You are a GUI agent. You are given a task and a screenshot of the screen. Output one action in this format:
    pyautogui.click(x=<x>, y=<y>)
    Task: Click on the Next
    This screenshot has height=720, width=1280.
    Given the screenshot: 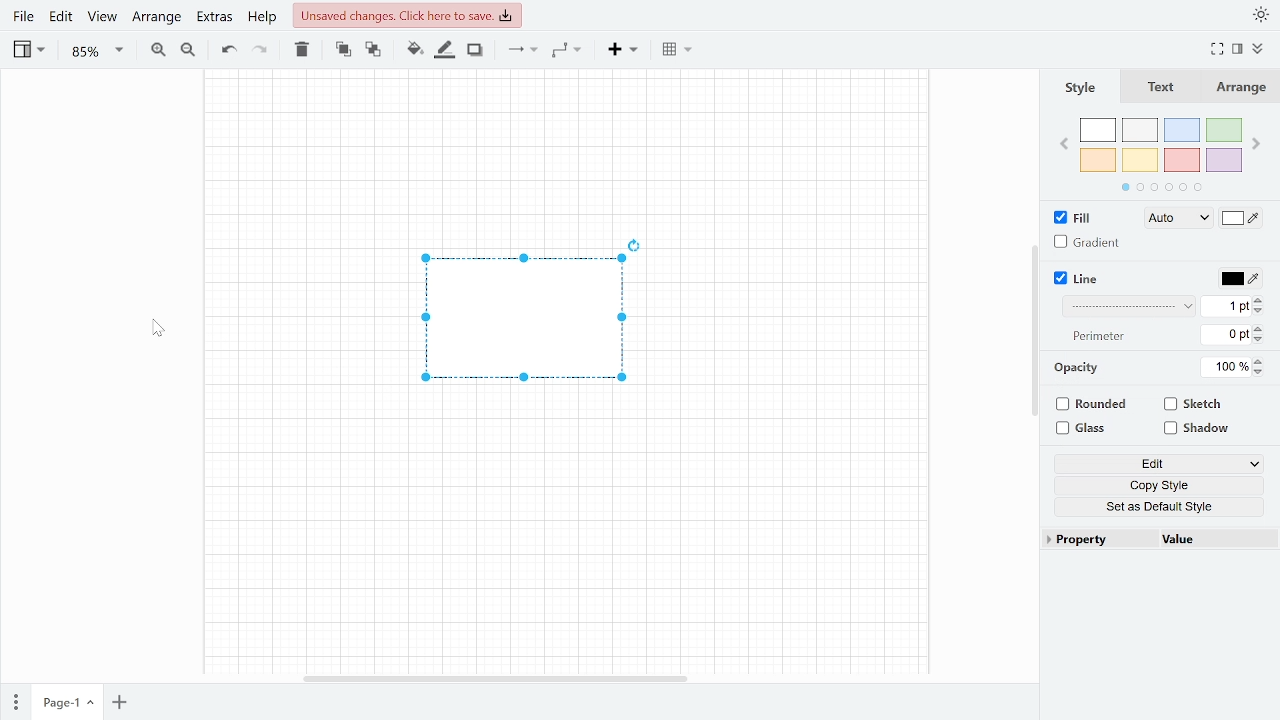 What is the action you would take?
    pyautogui.click(x=1259, y=141)
    